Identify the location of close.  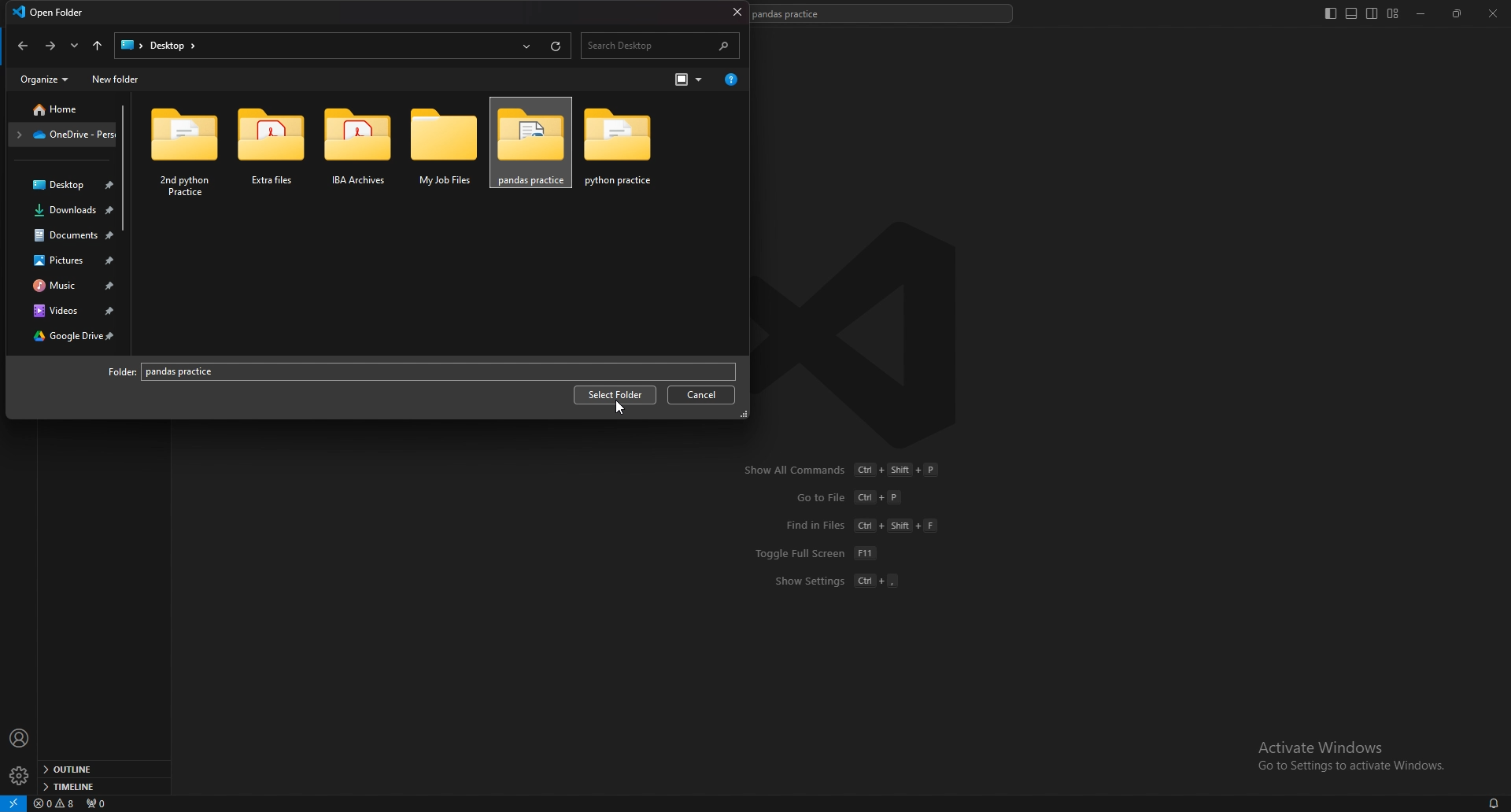
(735, 13).